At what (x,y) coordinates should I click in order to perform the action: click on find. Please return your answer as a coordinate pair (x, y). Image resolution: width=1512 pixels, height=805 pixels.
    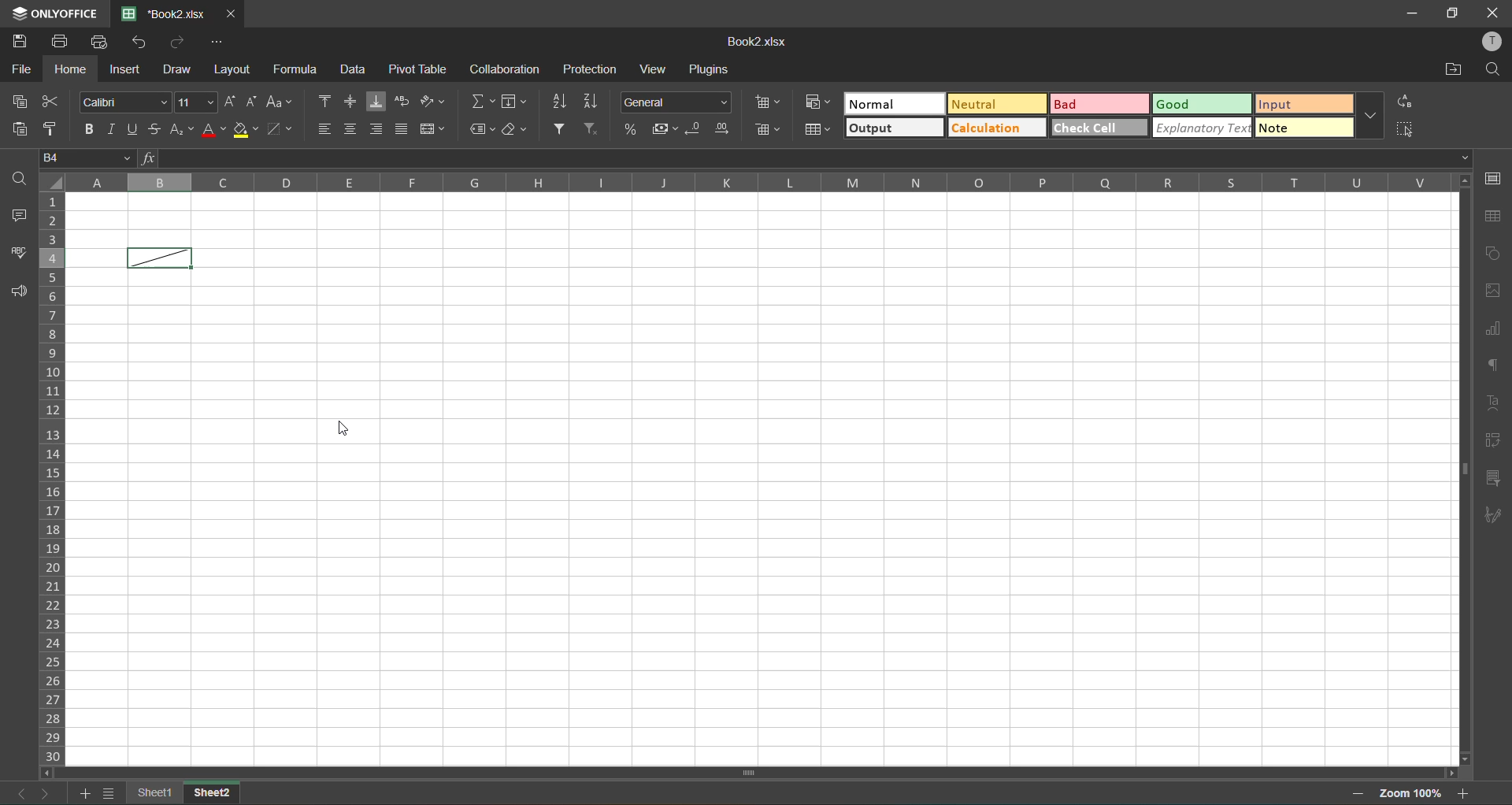
    Looking at the image, I should click on (1492, 71).